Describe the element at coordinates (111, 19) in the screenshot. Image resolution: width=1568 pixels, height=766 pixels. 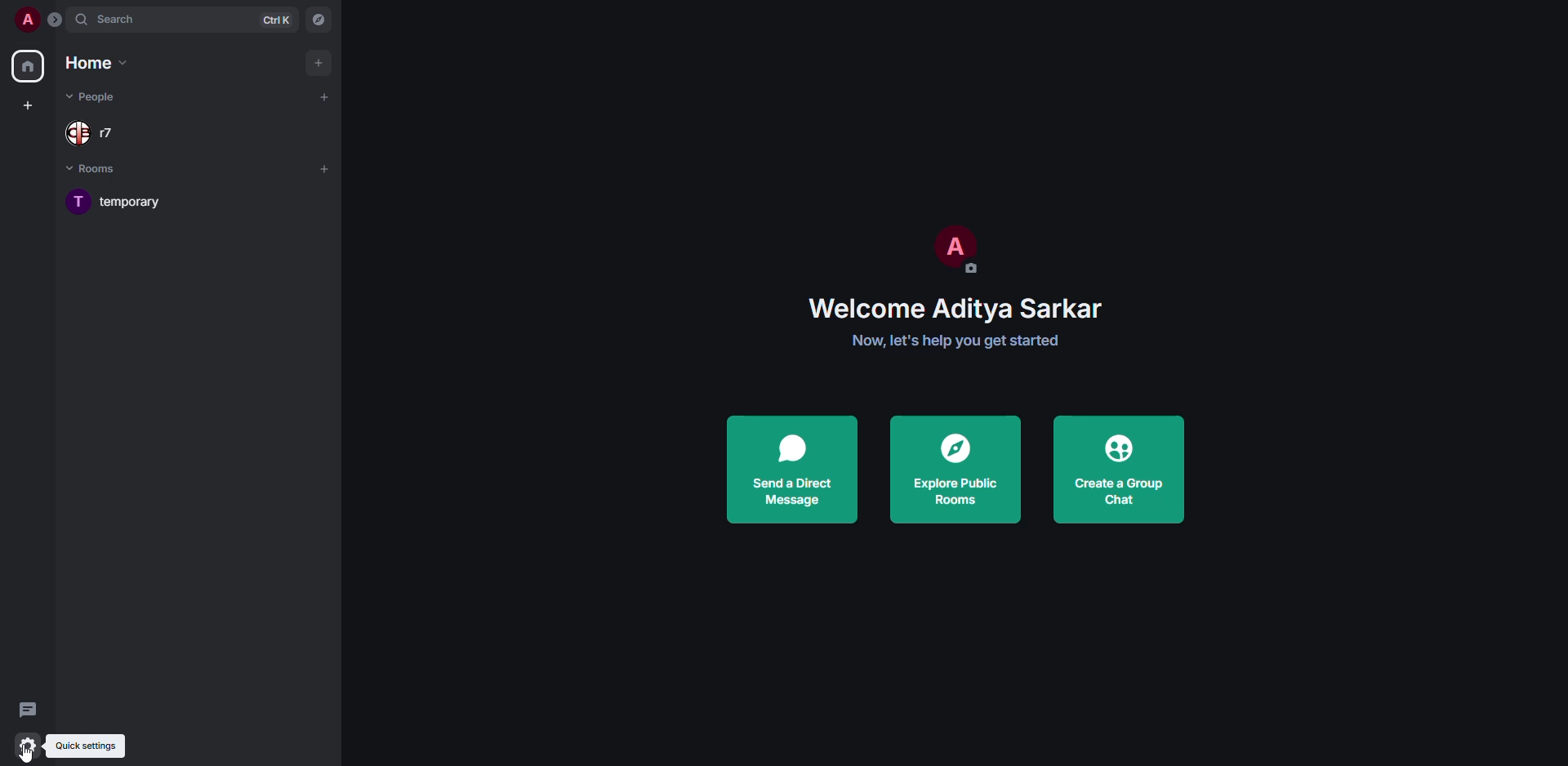
I see `search` at that location.